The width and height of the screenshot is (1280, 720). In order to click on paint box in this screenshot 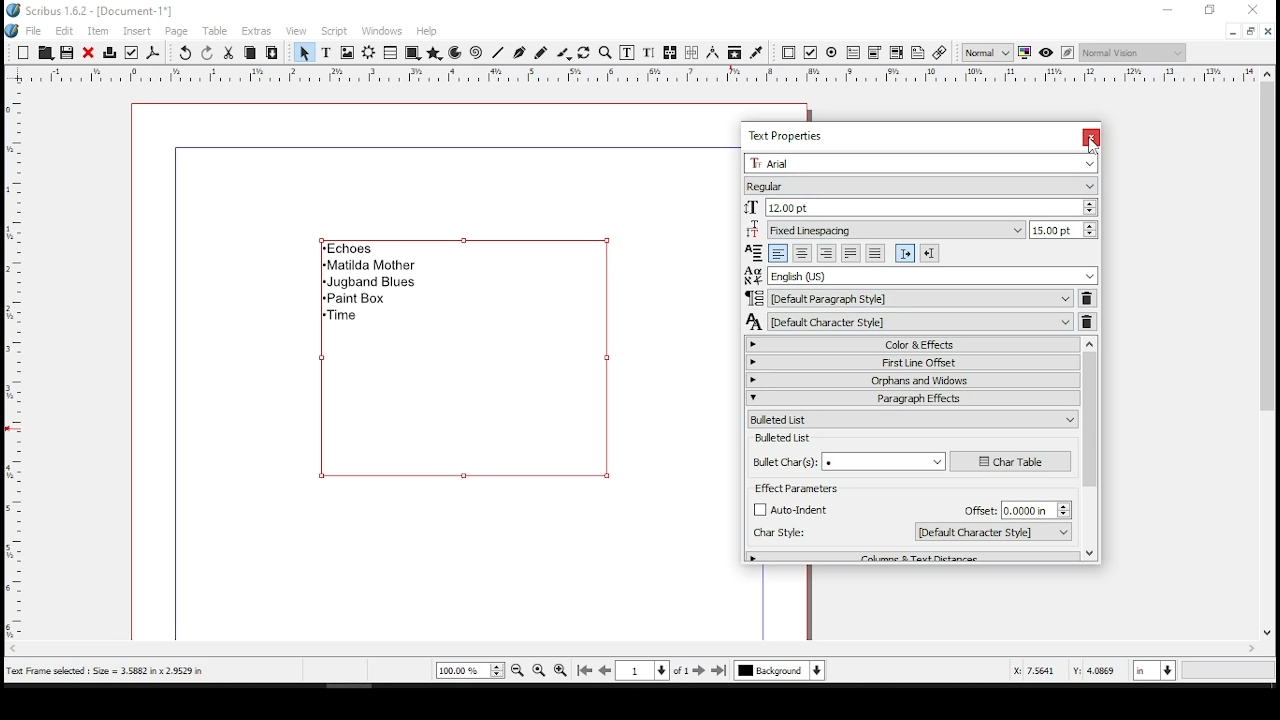, I will do `click(358, 299)`.